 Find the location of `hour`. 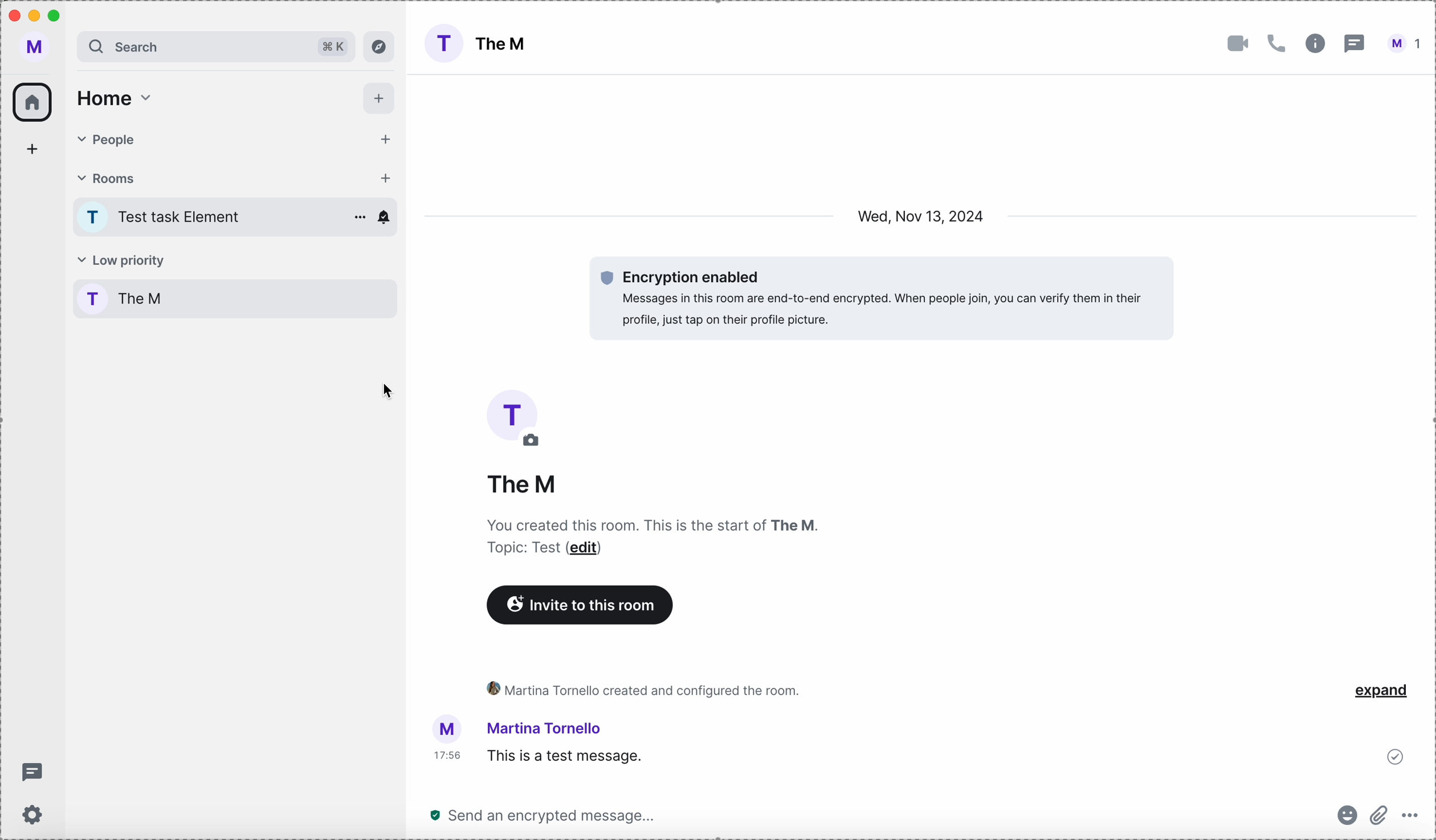

hour is located at coordinates (445, 759).